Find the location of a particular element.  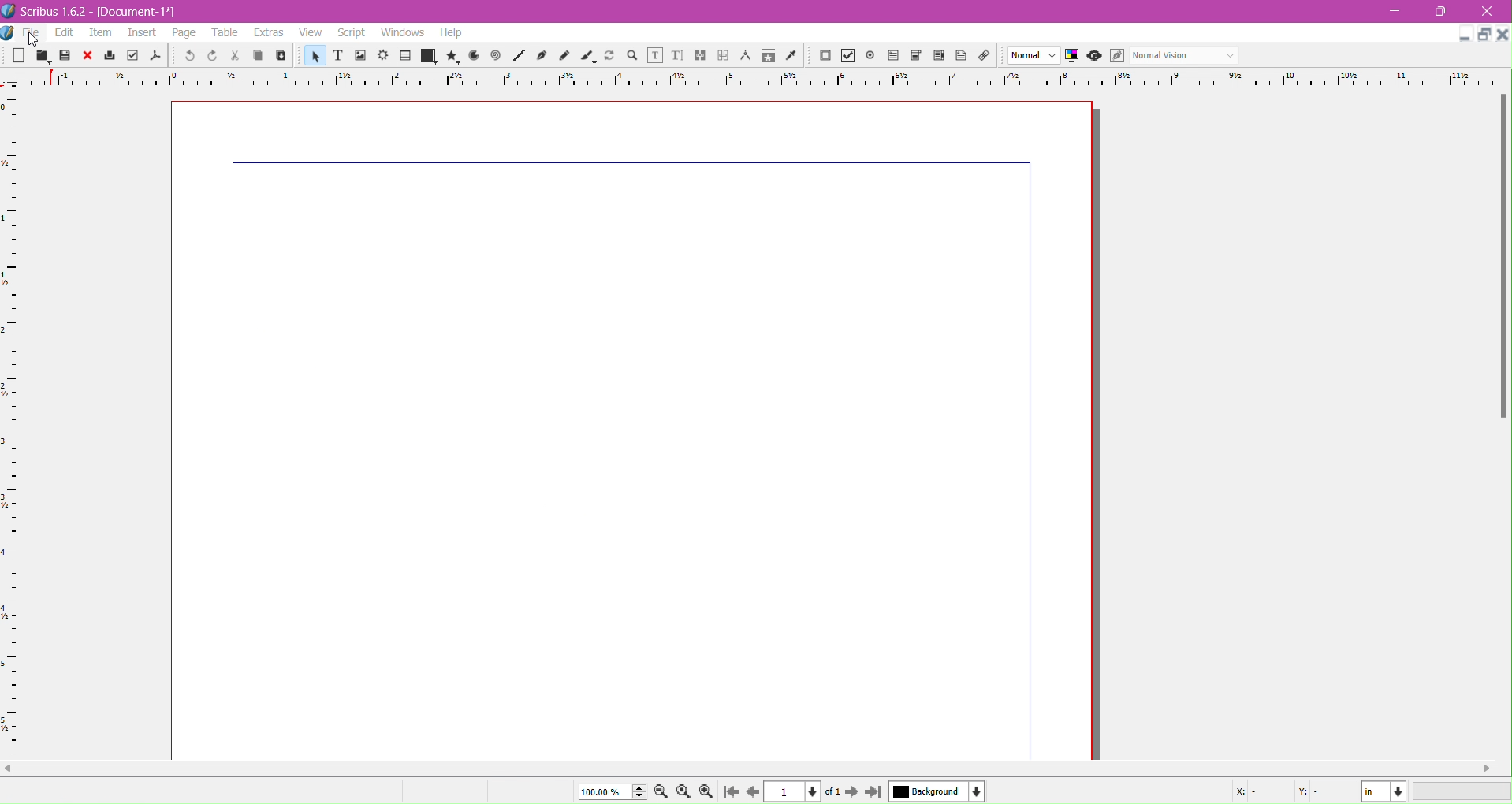

change layout is located at coordinates (1482, 35).